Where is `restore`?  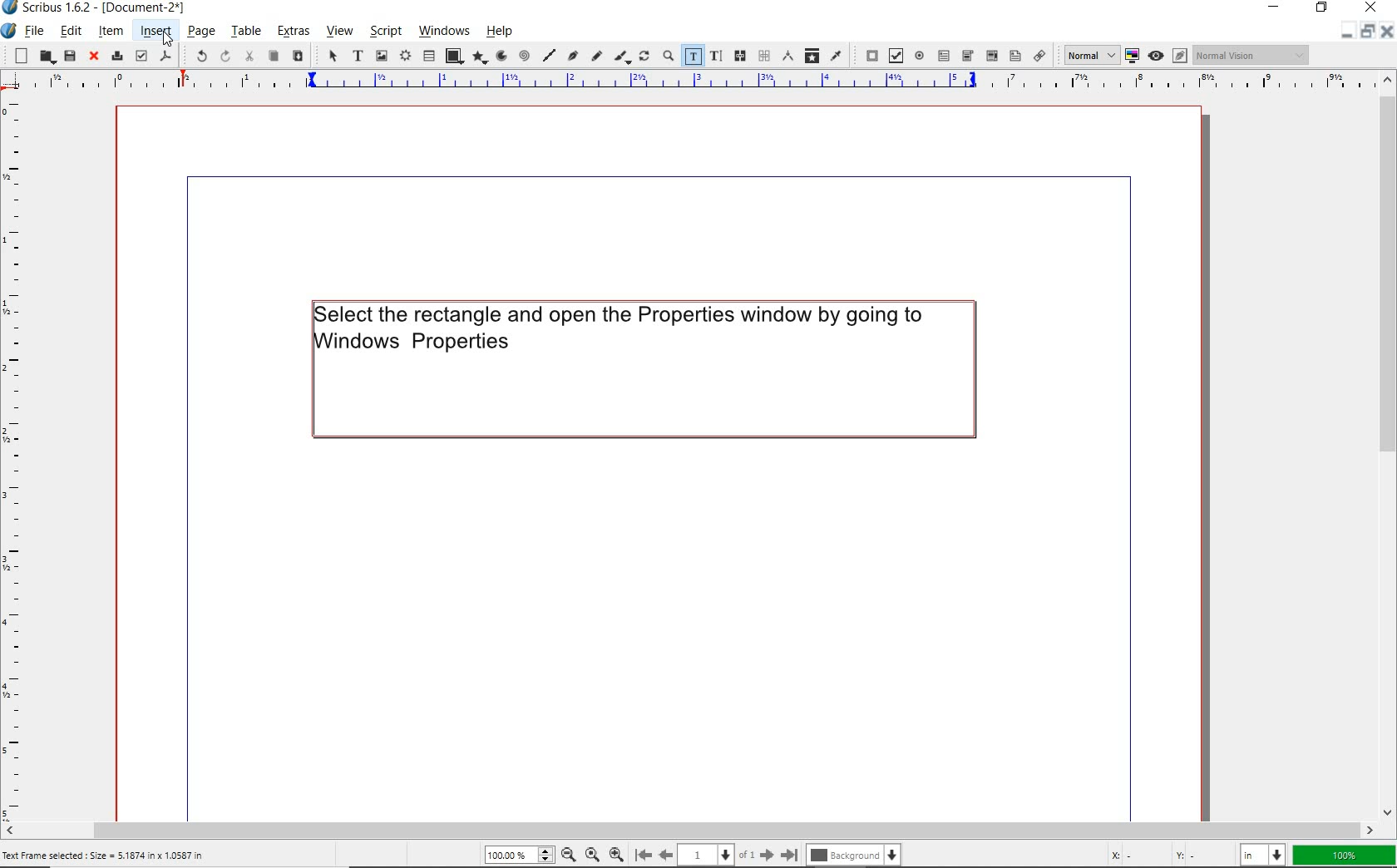
restore is located at coordinates (1322, 9).